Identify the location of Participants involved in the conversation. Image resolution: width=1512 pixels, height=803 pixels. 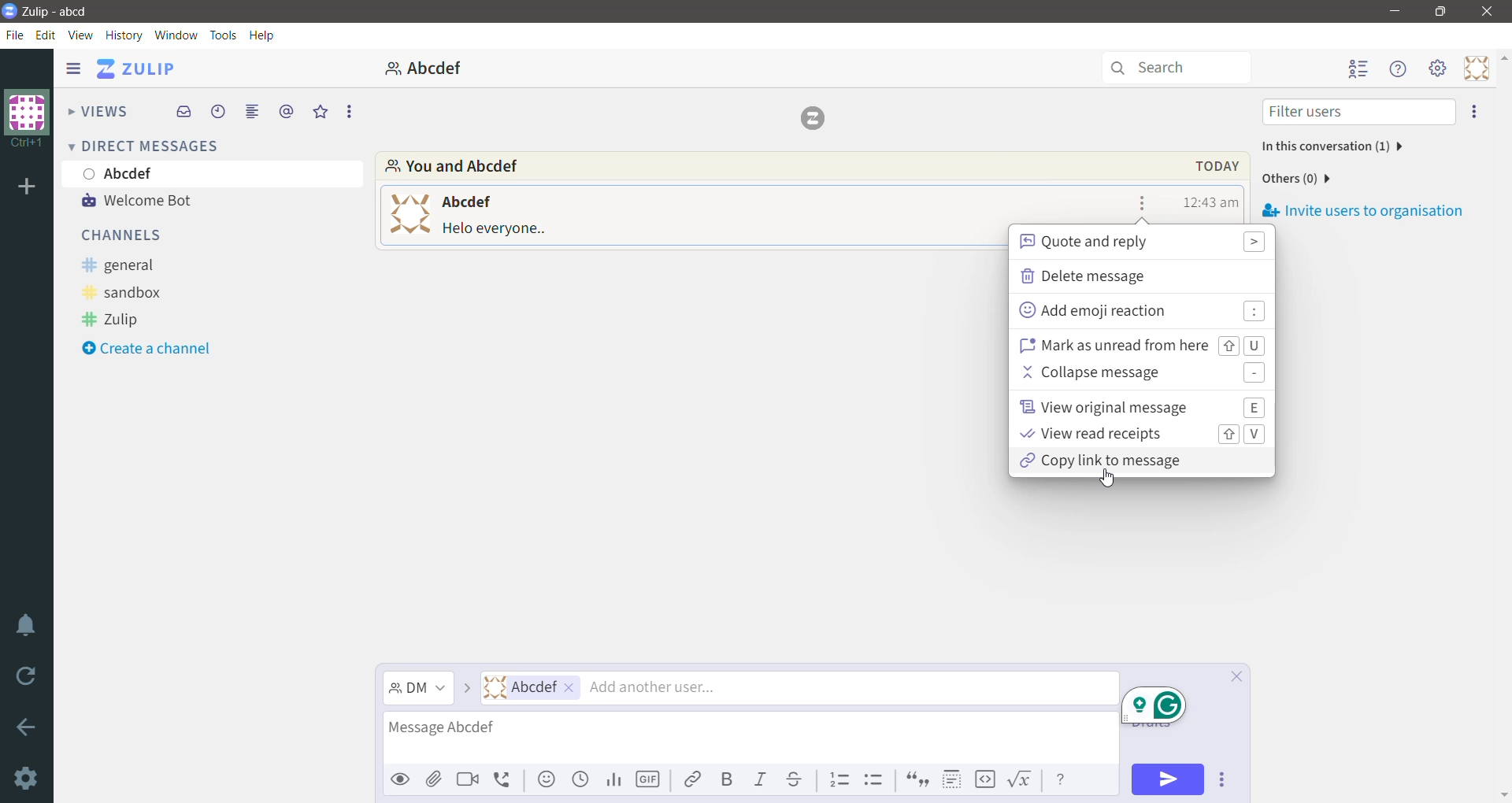
(744, 165).